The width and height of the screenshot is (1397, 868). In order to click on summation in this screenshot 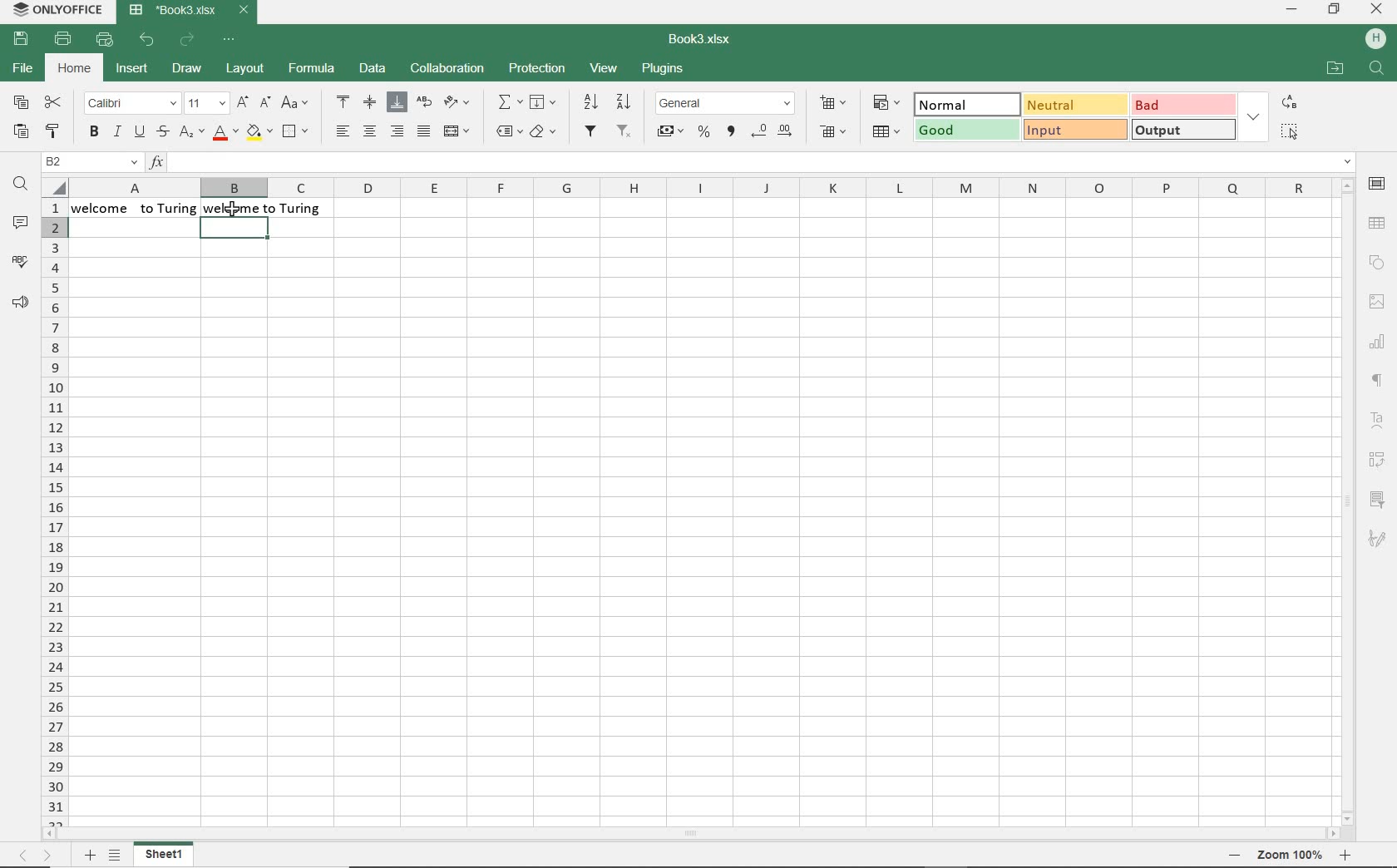, I will do `click(507, 104)`.